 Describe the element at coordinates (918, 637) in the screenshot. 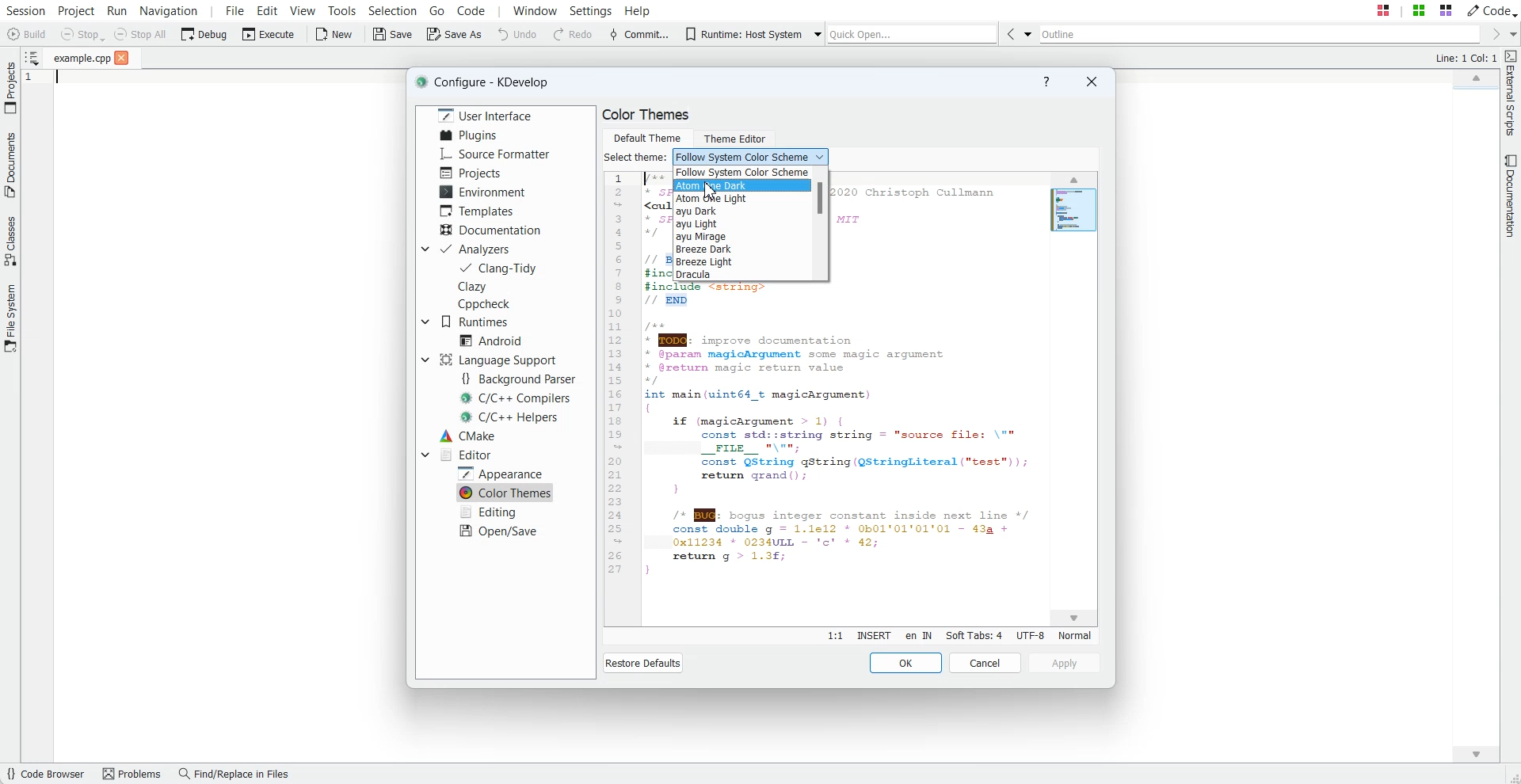

I see `en IN` at that location.